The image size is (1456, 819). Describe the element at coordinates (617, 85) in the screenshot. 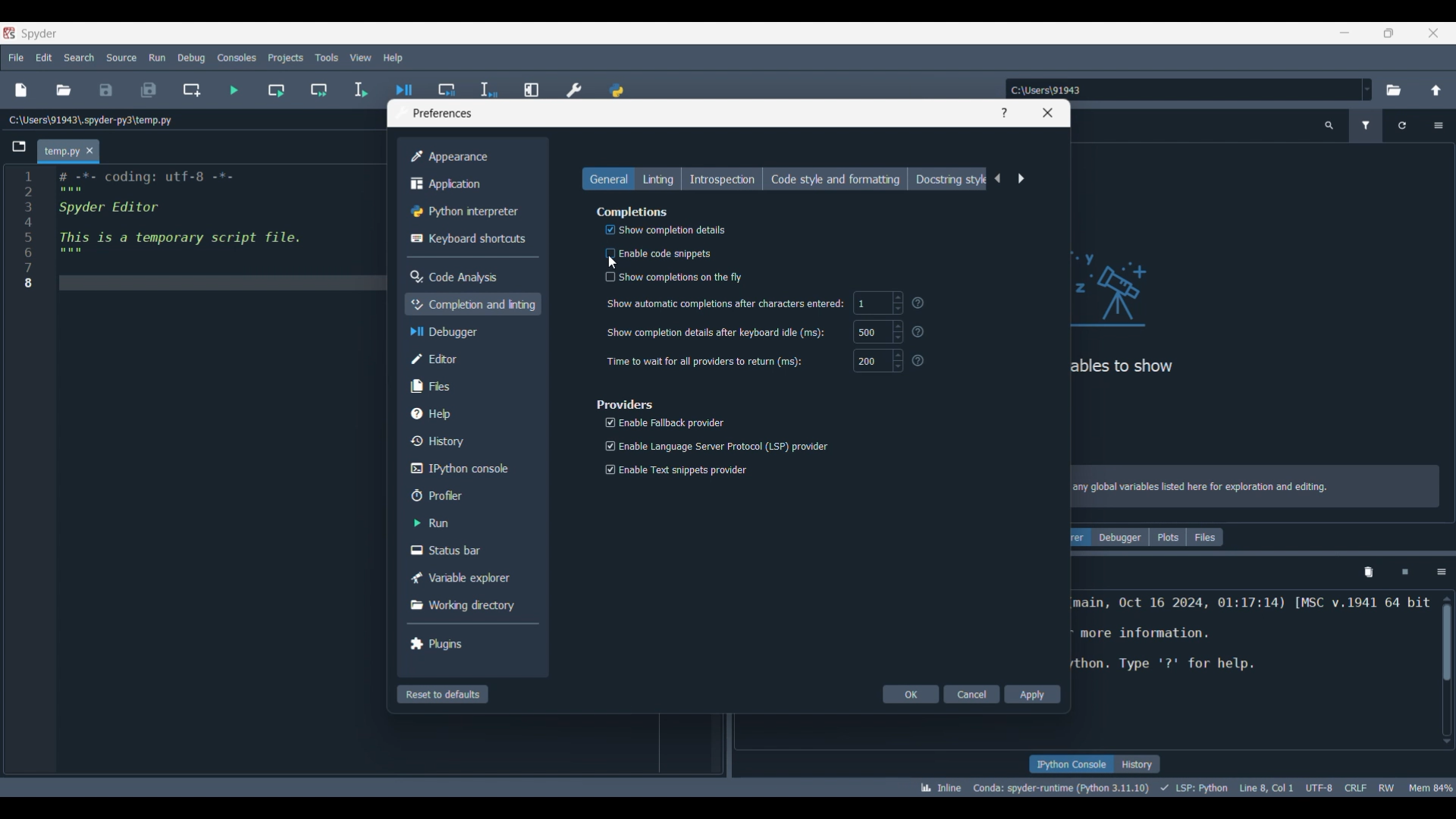

I see `PYTHONPATH manager` at that location.